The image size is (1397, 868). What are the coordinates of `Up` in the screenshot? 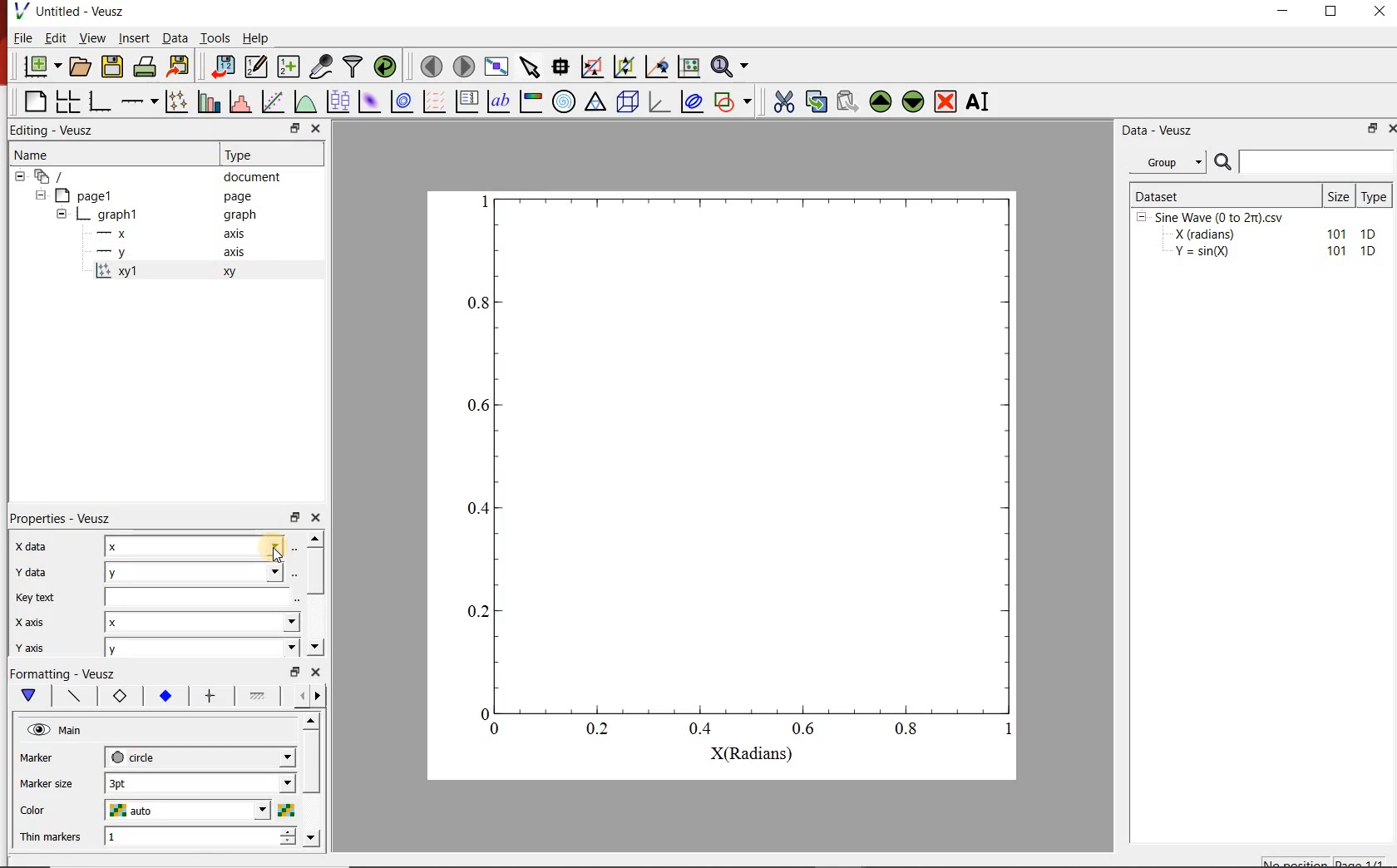 It's located at (315, 538).